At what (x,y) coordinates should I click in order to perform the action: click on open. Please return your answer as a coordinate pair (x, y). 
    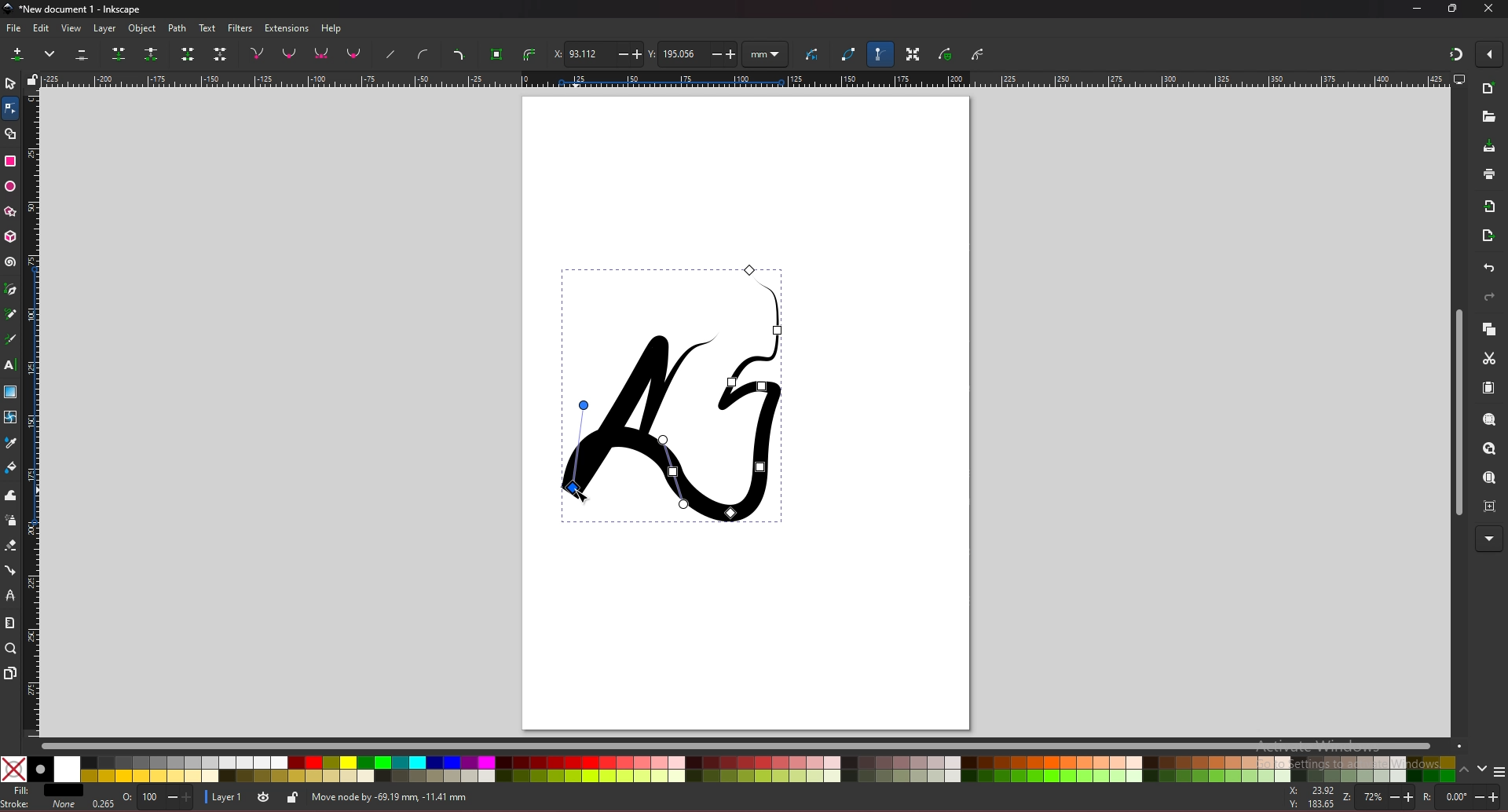
    Looking at the image, I should click on (1488, 117).